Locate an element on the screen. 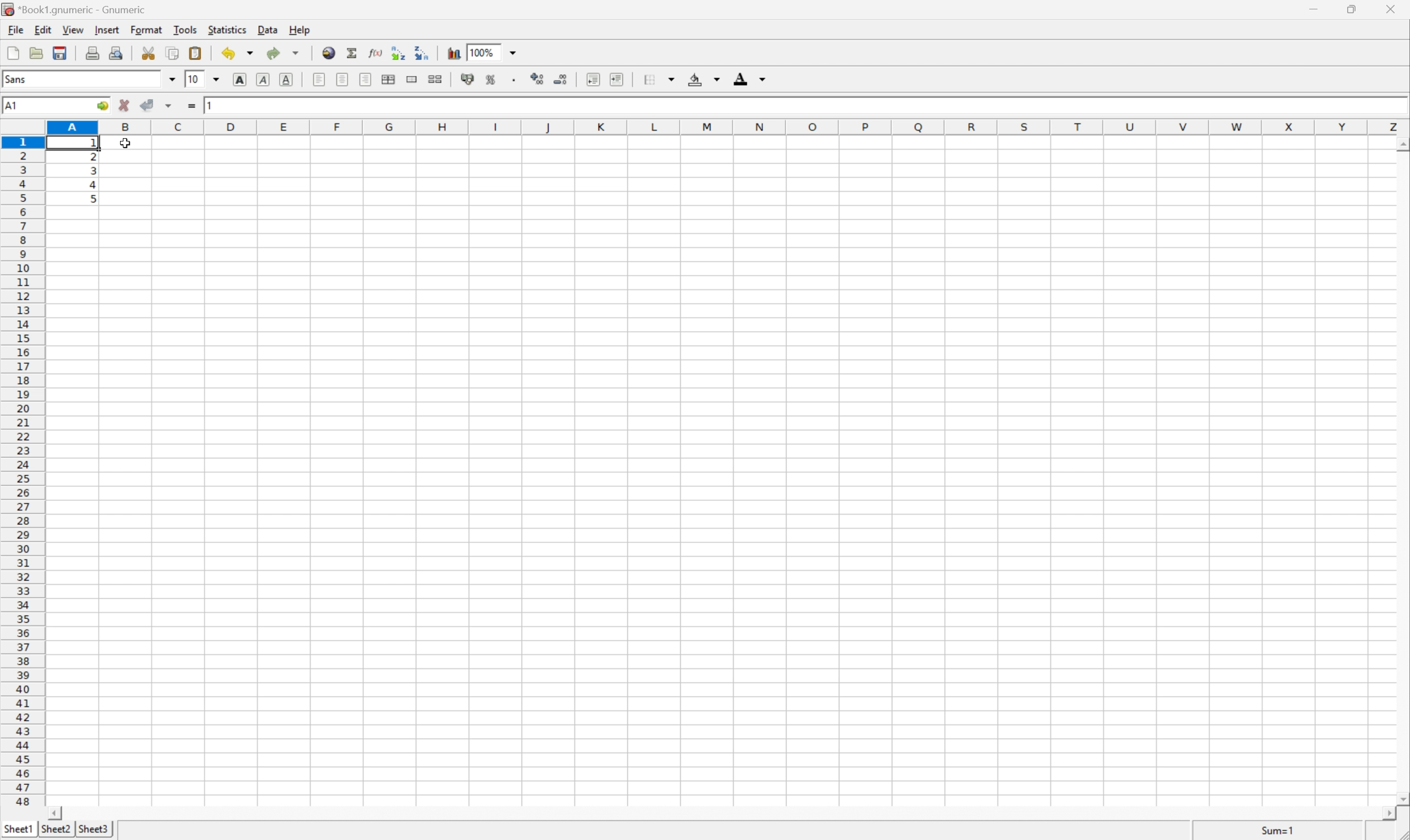 This screenshot has height=840, width=1410. Paste clipboard is located at coordinates (195, 53).